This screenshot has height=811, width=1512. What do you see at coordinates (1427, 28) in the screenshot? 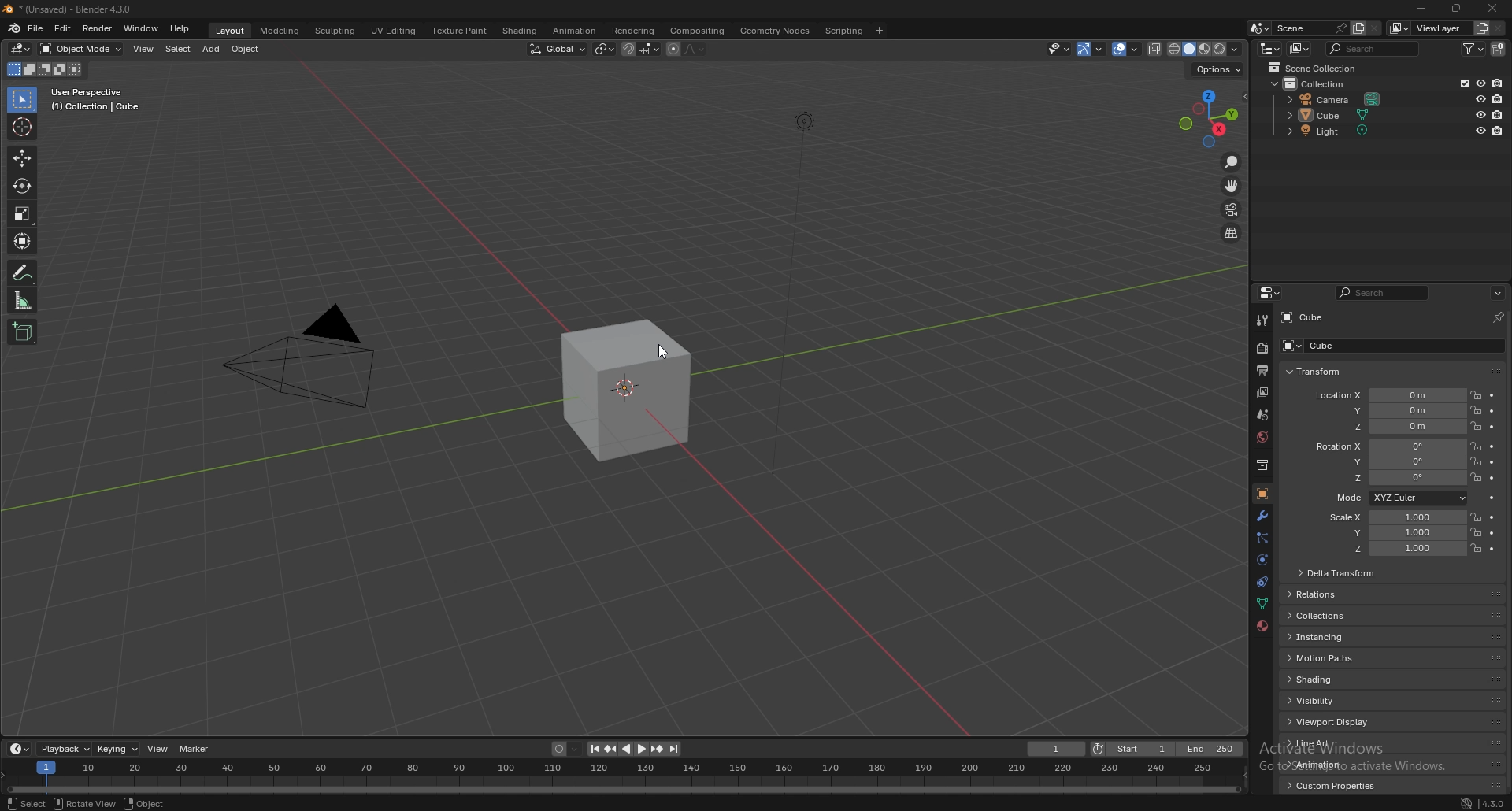
I see `viewlayer` at bounding box center [1427, 28].